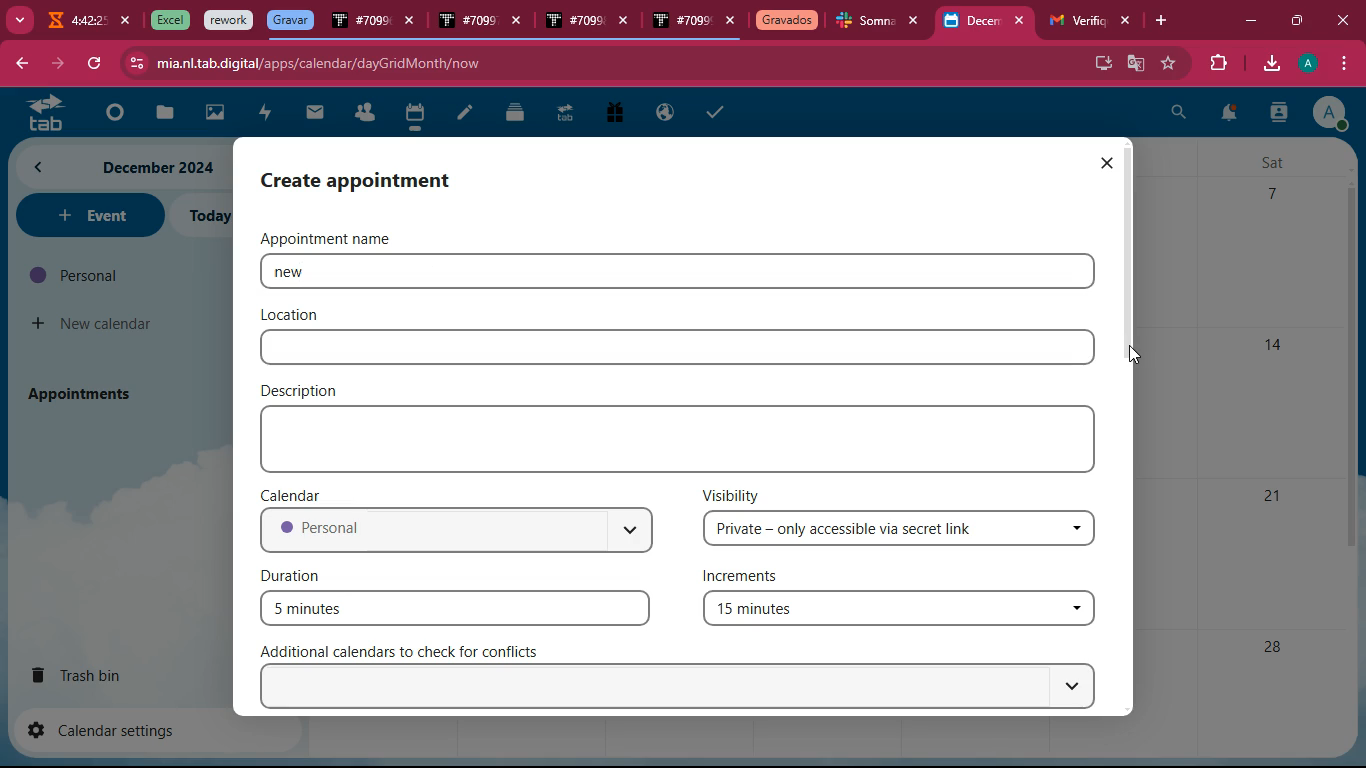 The image size is (1366, 768). I want to click on tab, so click(167, 20).